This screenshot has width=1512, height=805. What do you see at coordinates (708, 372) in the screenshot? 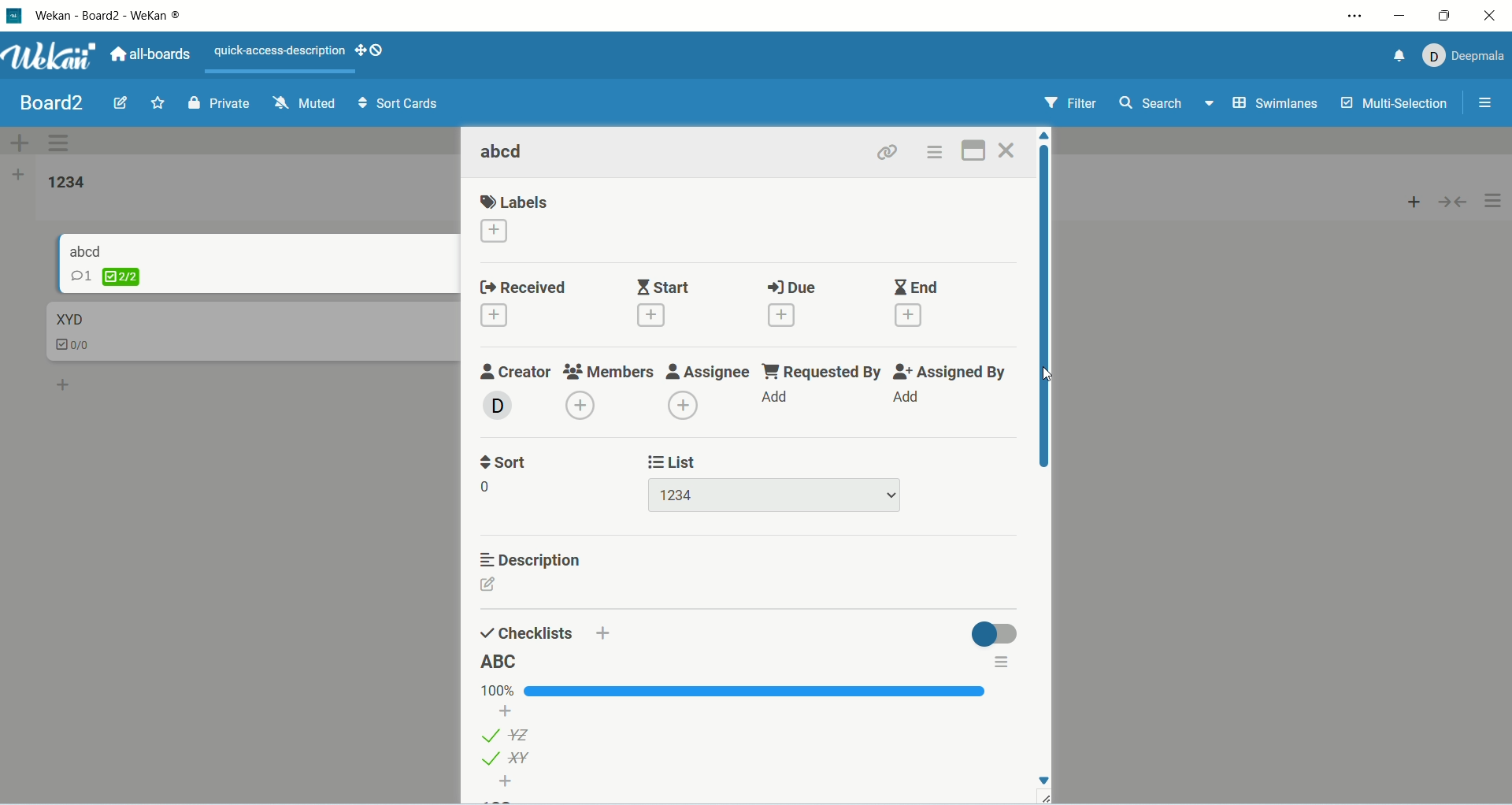
I see `assignee` at bounding box center [708, 372].